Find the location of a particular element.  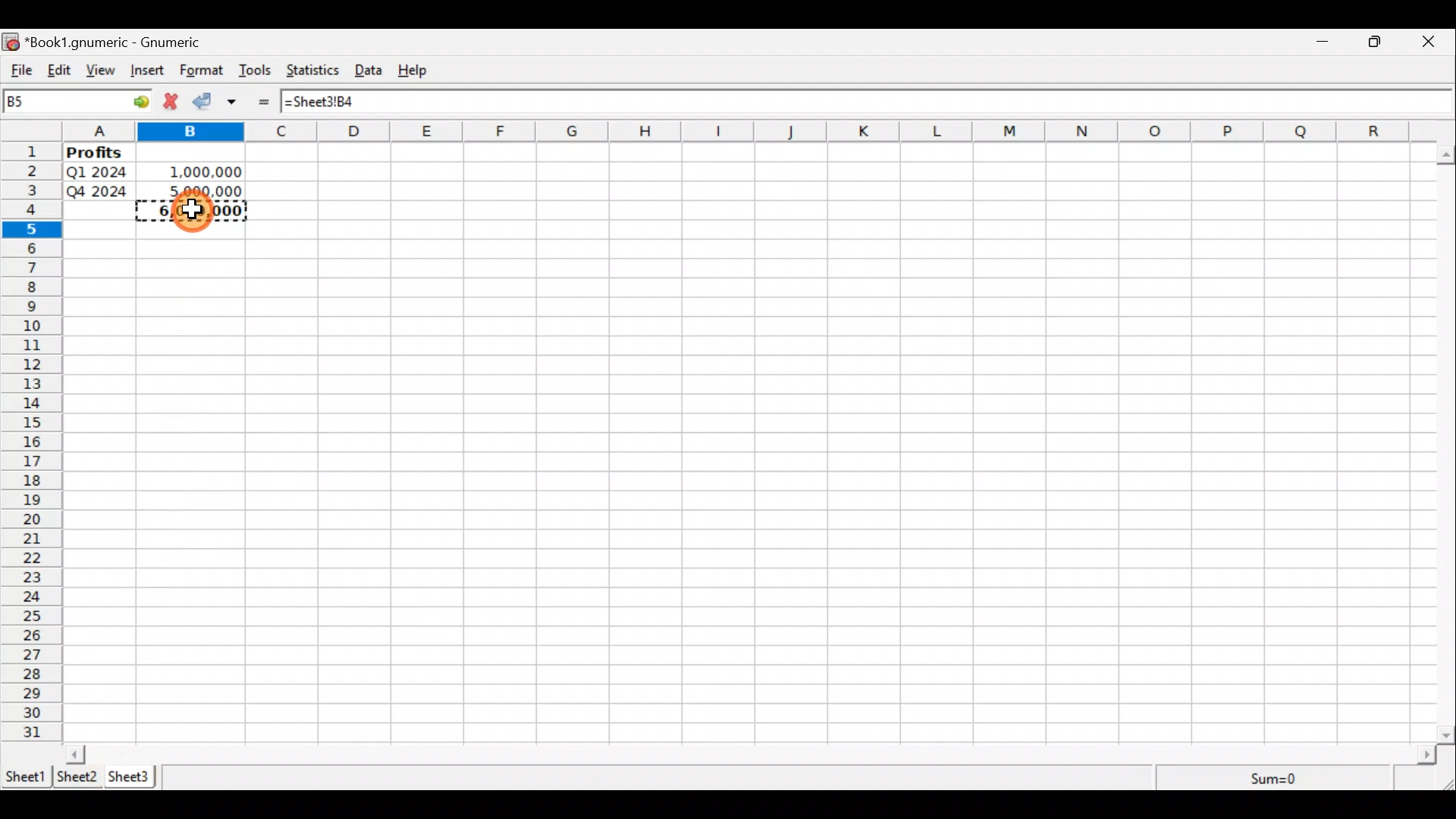

Format is located at coordinates (202, 71).